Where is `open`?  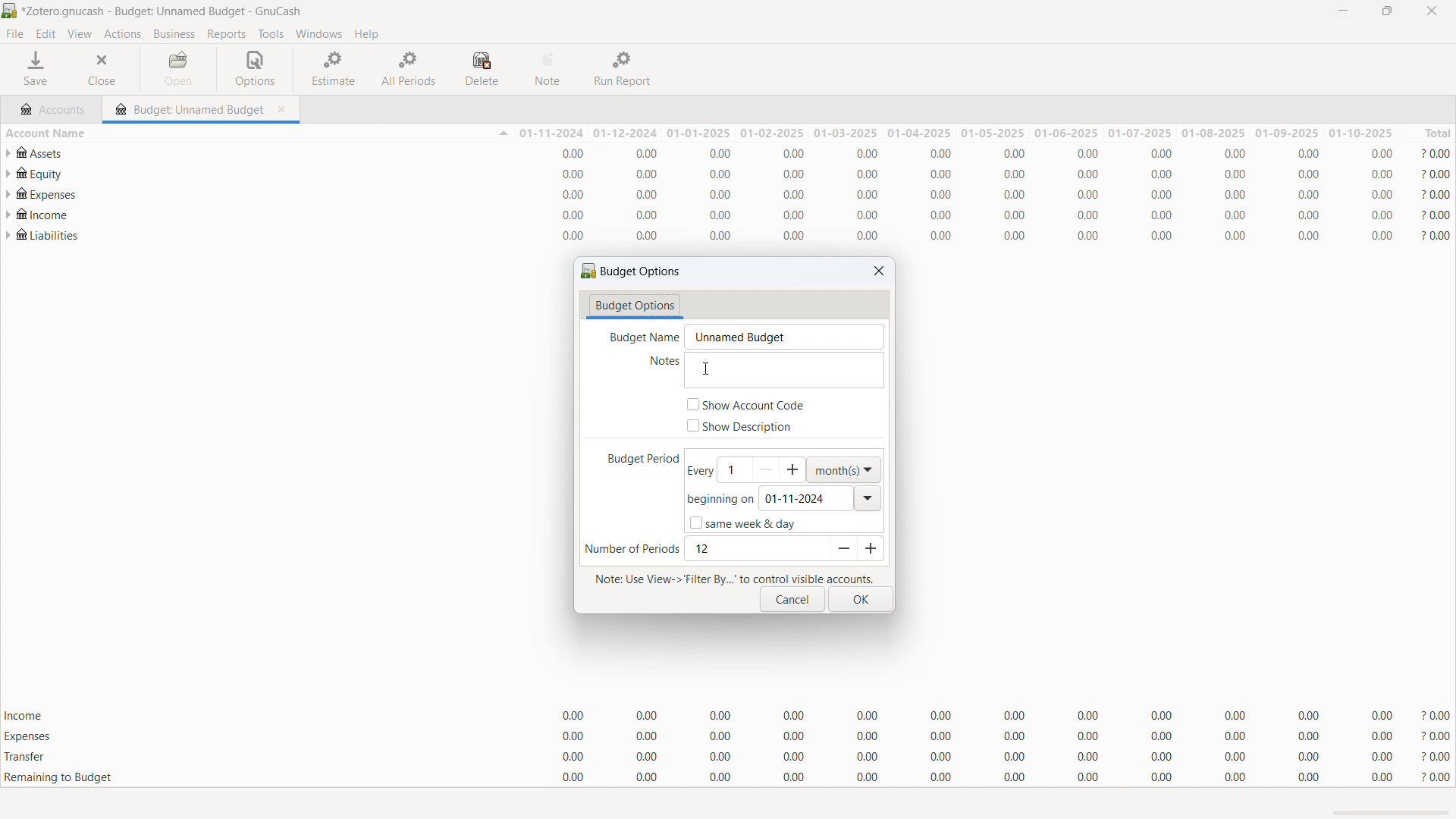 open is located at coordinates (179, 69).